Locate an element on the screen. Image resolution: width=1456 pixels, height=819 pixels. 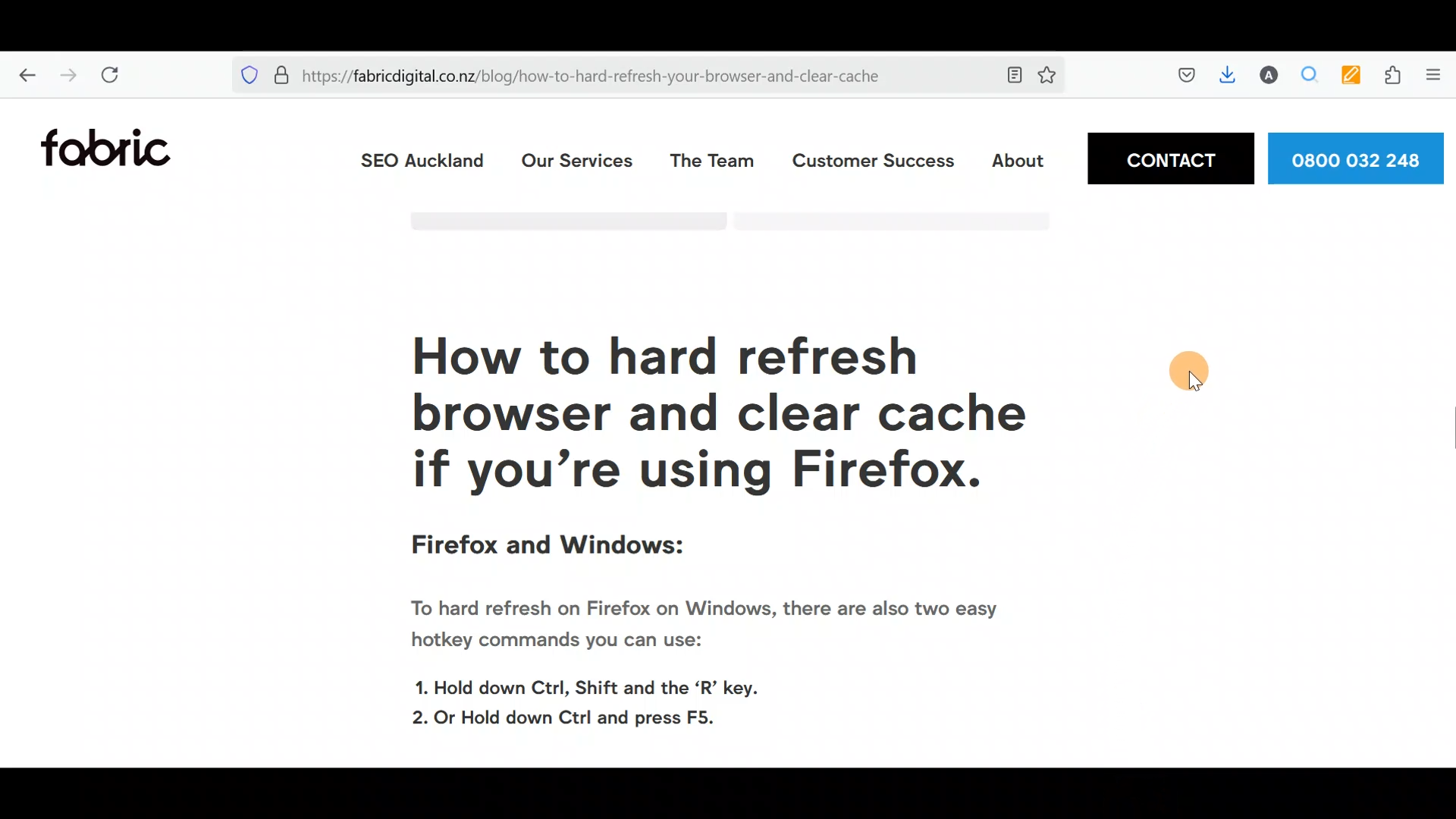
1. Hold down Ctrl, Shift and the ‘R’ key. is located at coordinates (599, 684).